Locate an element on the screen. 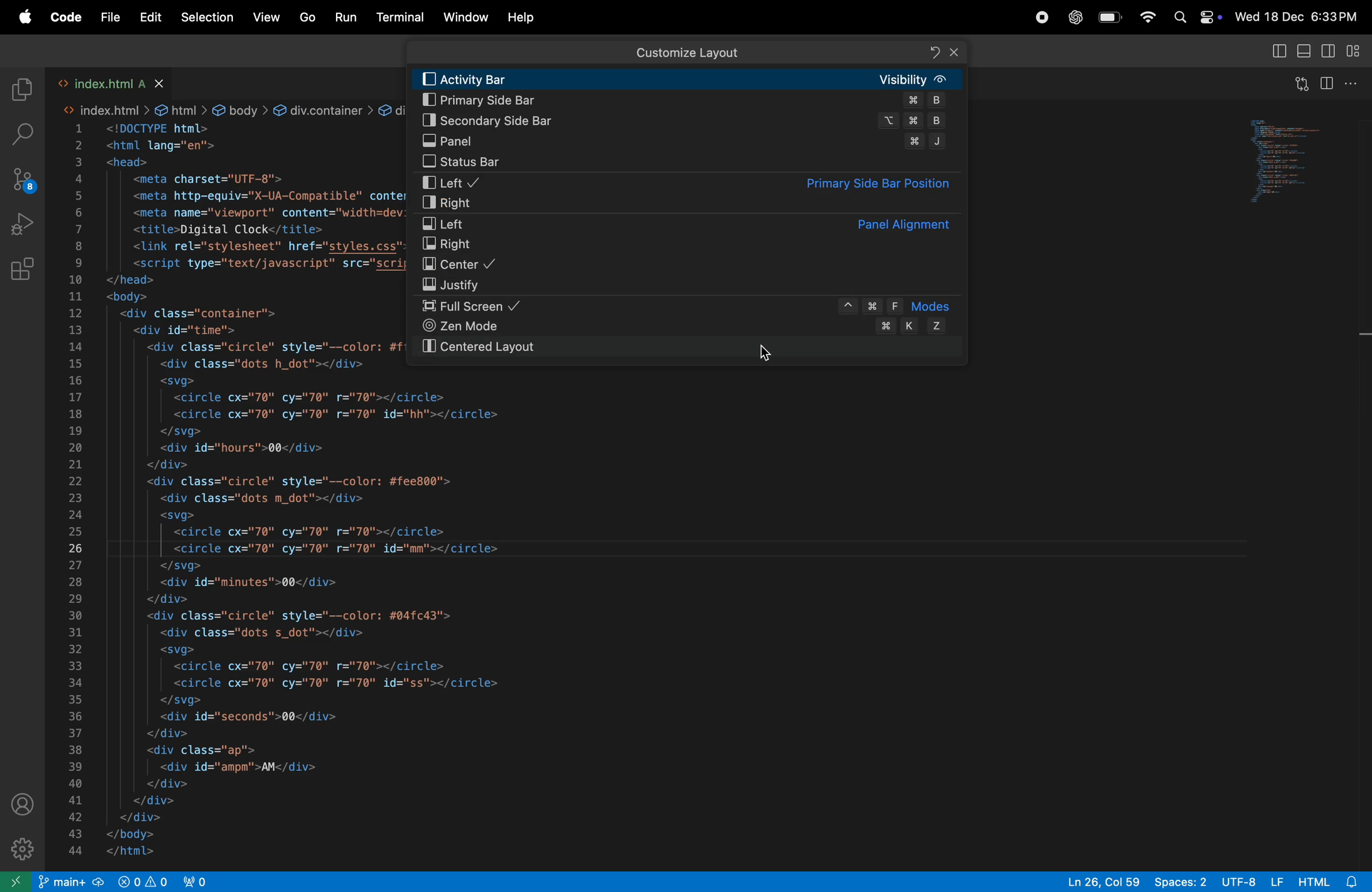  right is located at coordinates (691, 203).